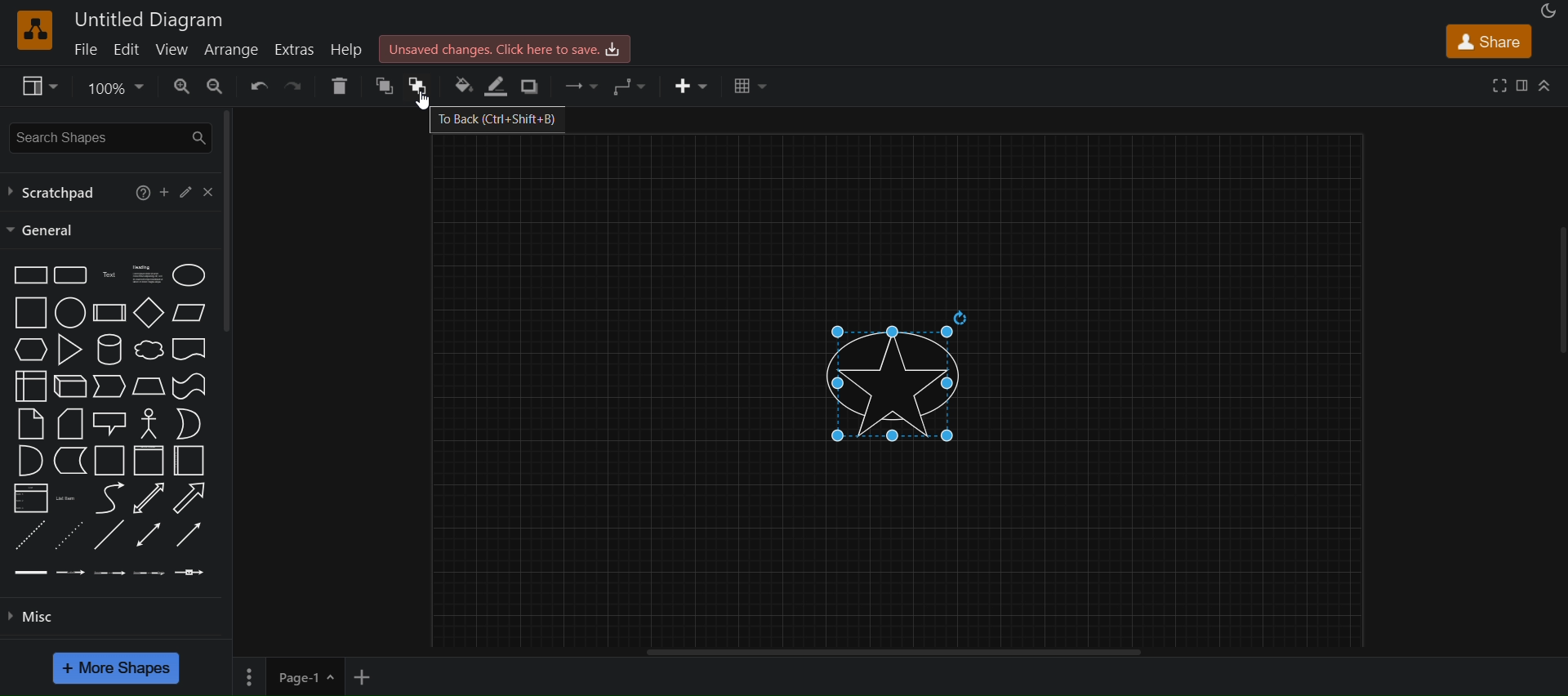  Describe the element at coordinates (149, 460) in the screenshot. I see `container` at that location.